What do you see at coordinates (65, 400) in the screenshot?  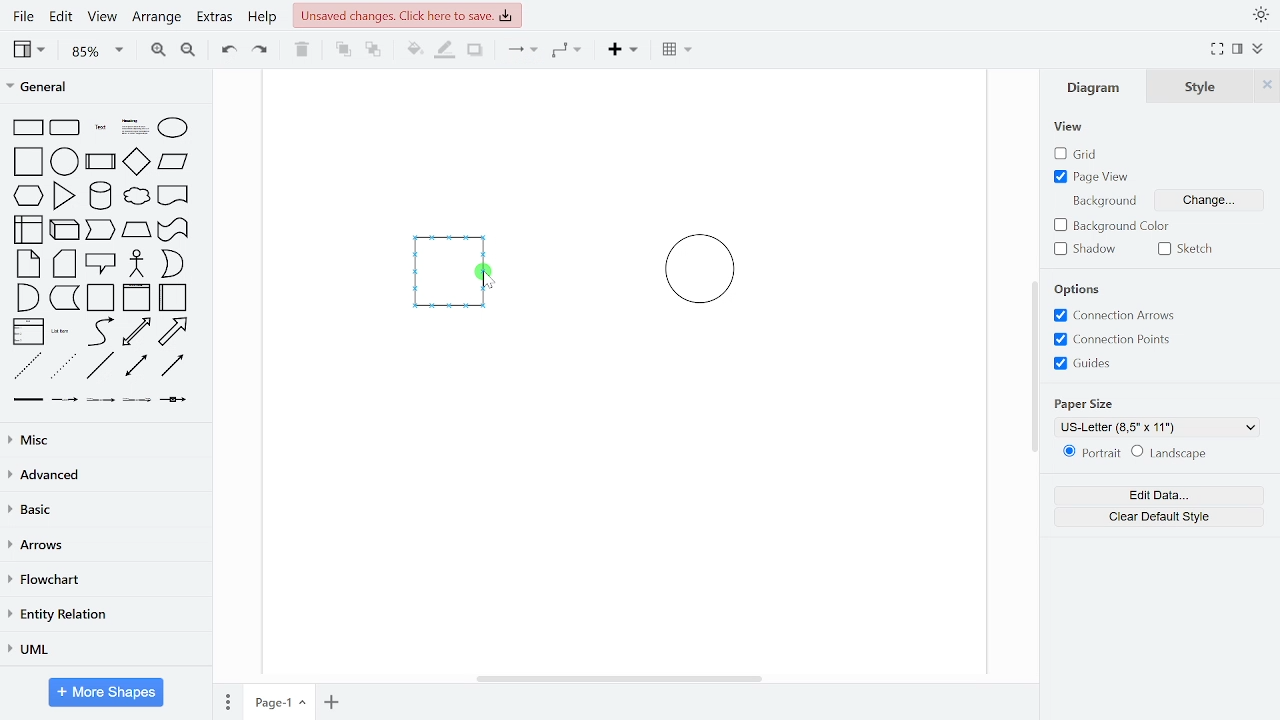 I see `connector with label` at bounding box center [65, 400].